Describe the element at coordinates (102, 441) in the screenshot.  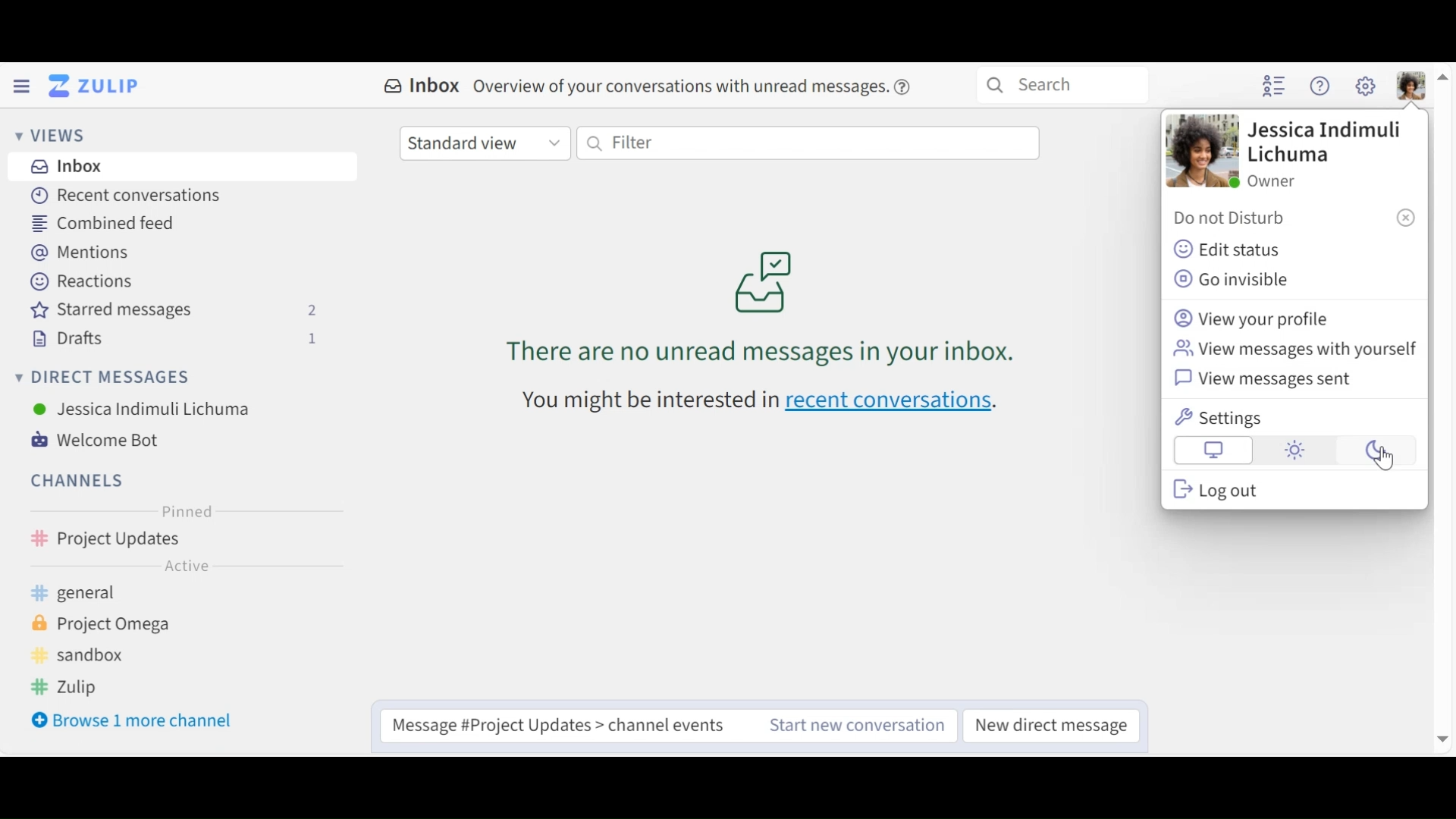
I see `Welcome Bot` at that location.